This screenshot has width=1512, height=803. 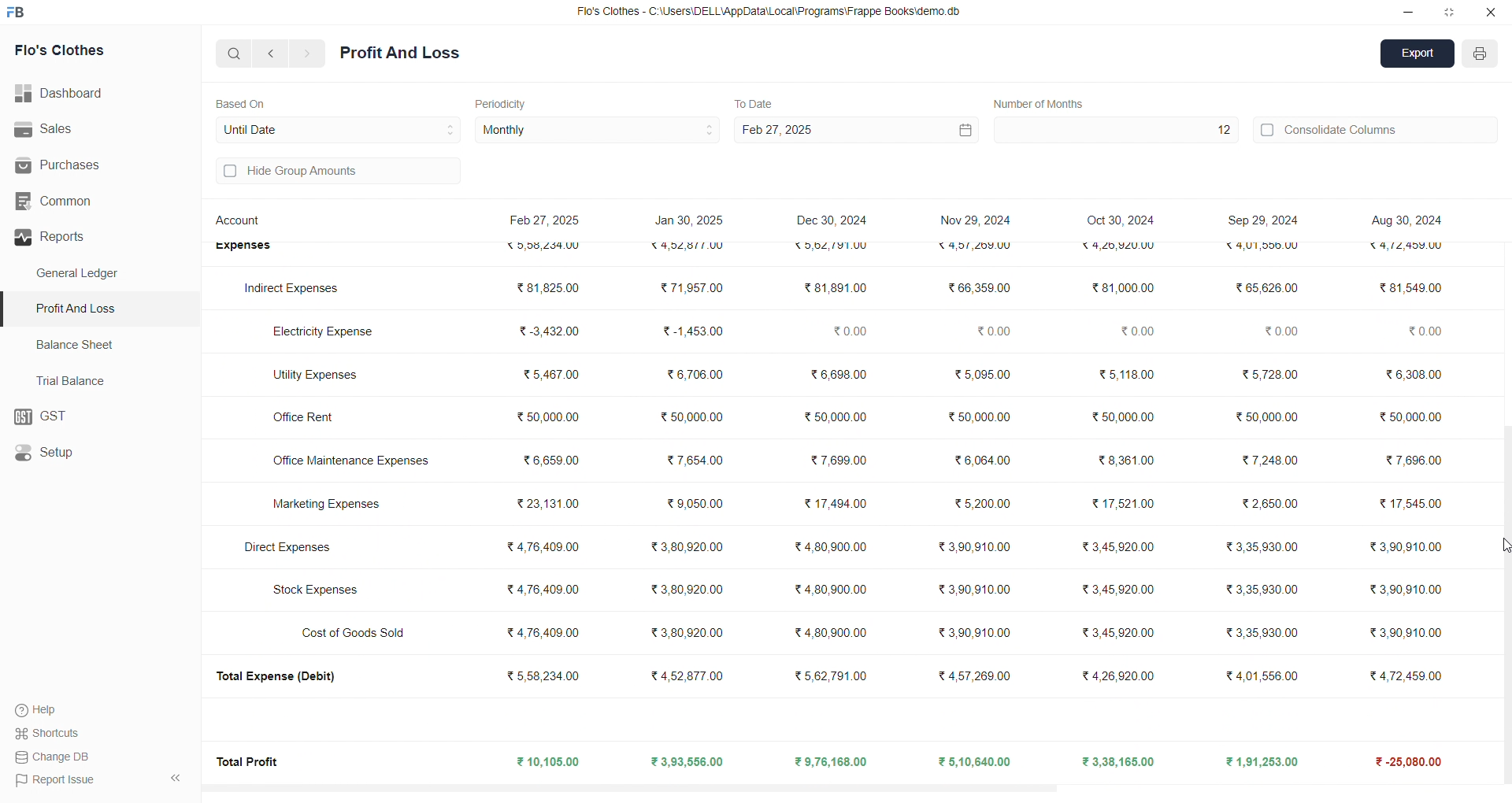 What do you see at coordinates (1268, 504) in the screenshot?
I see `₹2650.00` at bounding box center [1268, 504].